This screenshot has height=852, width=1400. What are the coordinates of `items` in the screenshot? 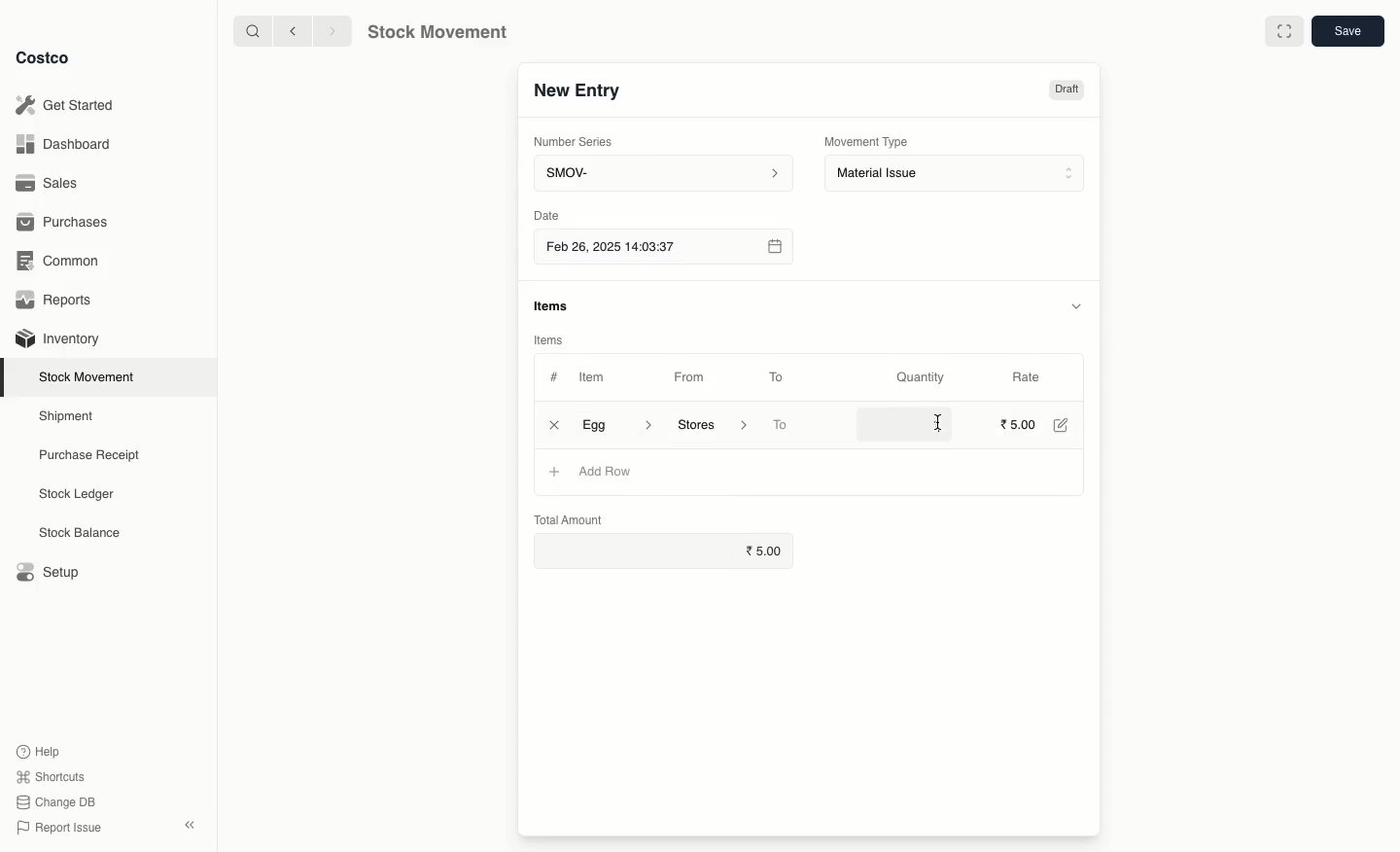 It's located at (553, 306).